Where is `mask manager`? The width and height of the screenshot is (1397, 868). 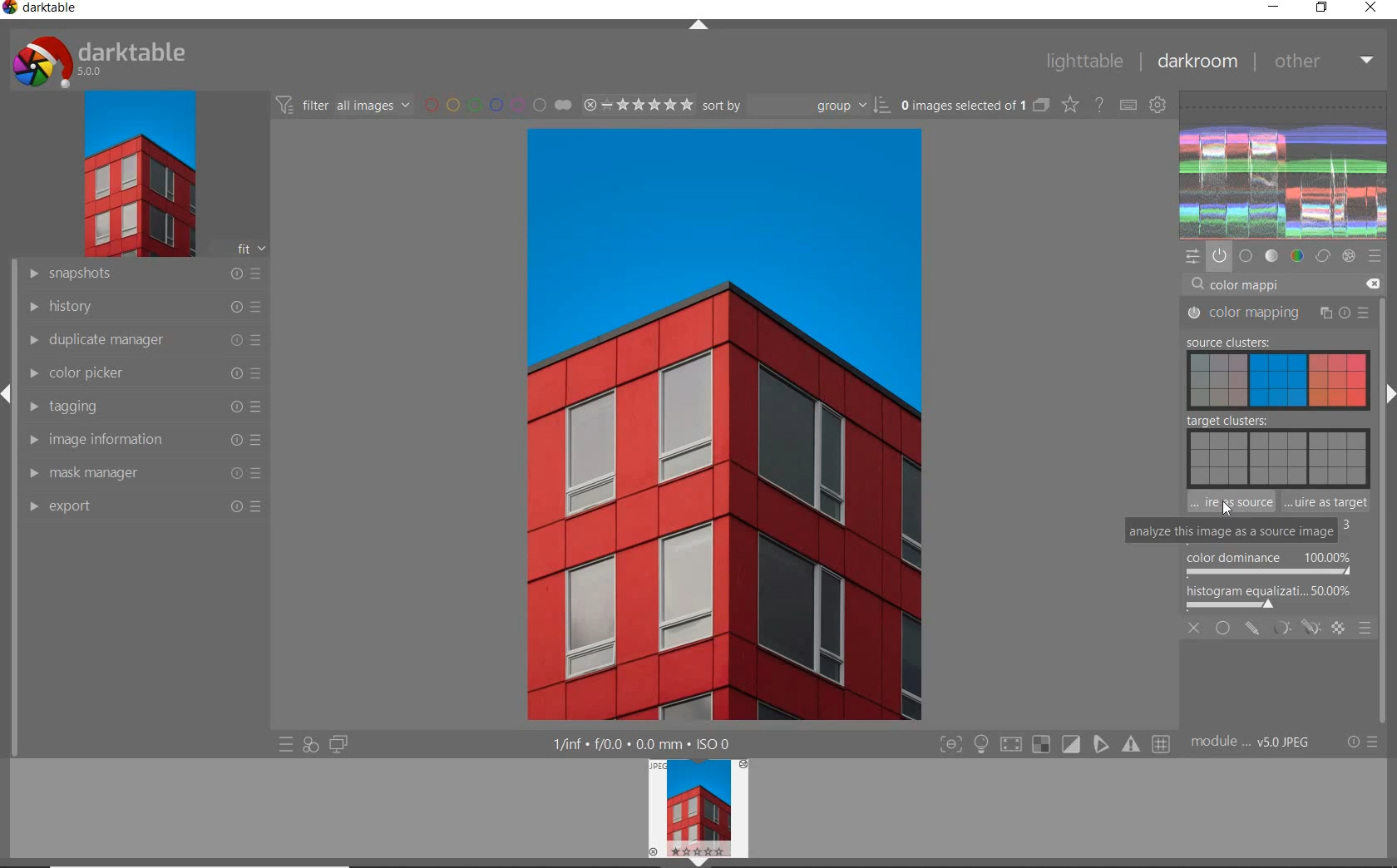 mask manager is located at coordinates (146, 474).